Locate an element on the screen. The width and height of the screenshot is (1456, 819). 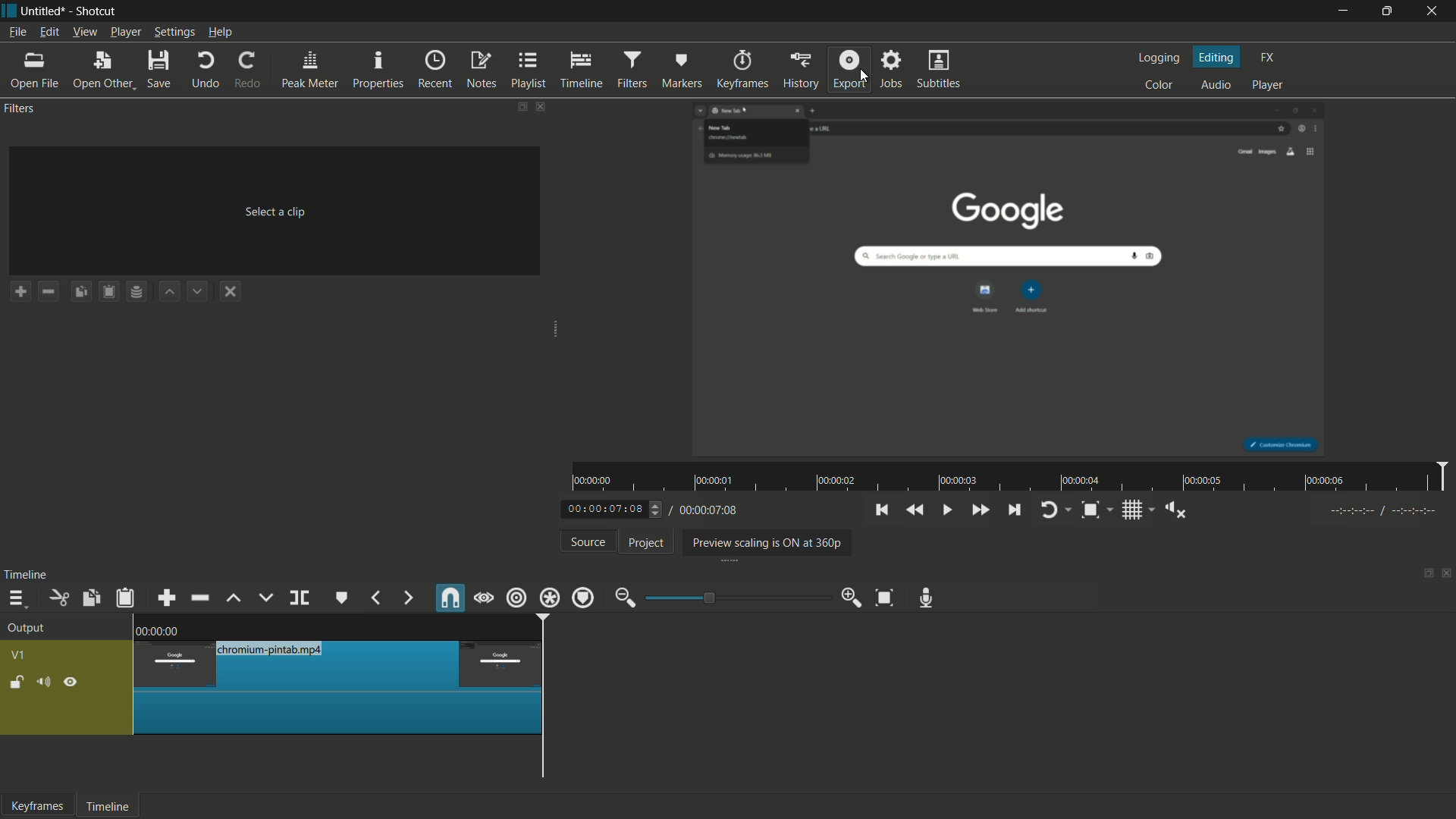
keyframes is located at coordinates (37, 805).